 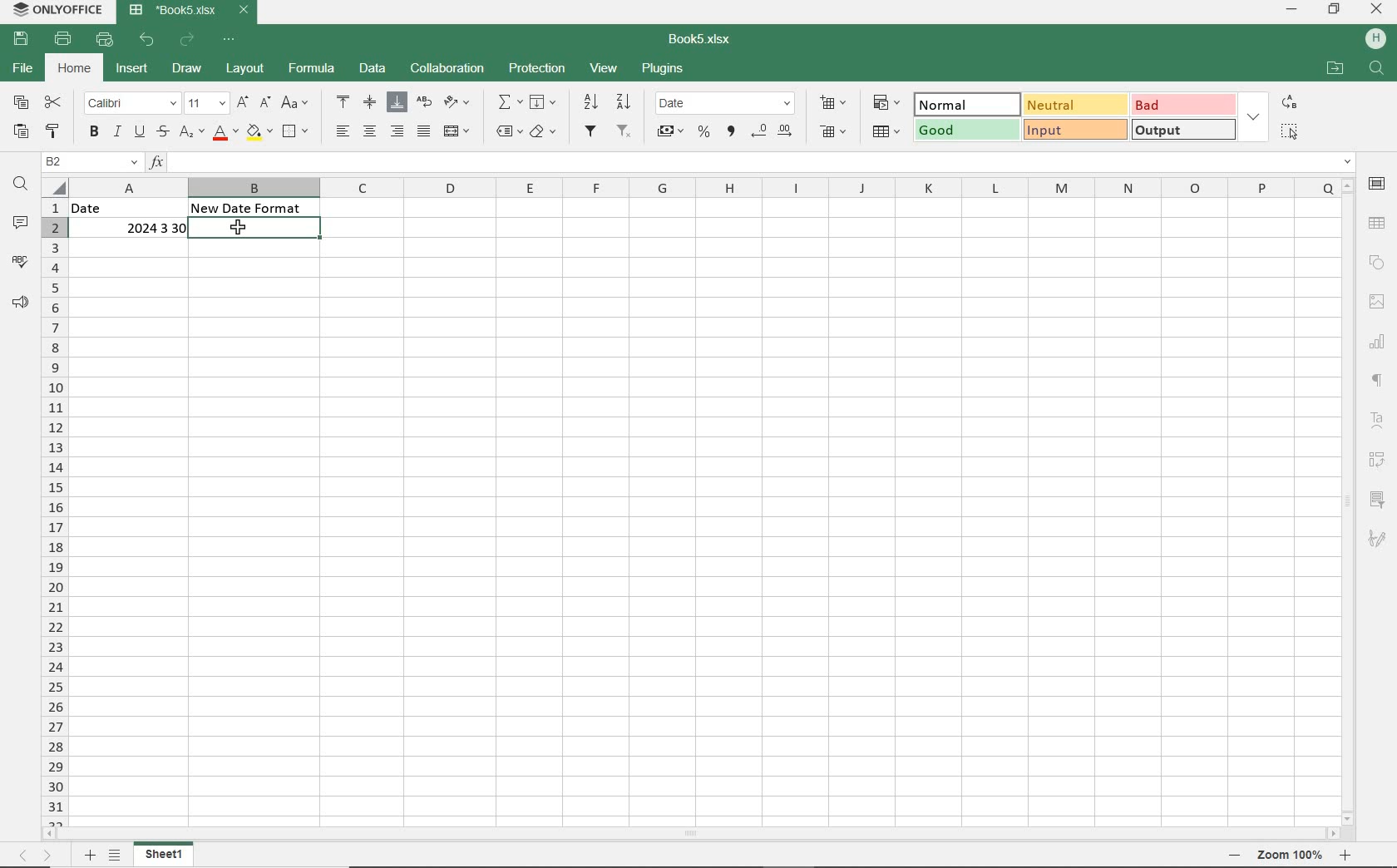 I want to click on DECREMENT FONT SIZE, so click(x=265, y=103).